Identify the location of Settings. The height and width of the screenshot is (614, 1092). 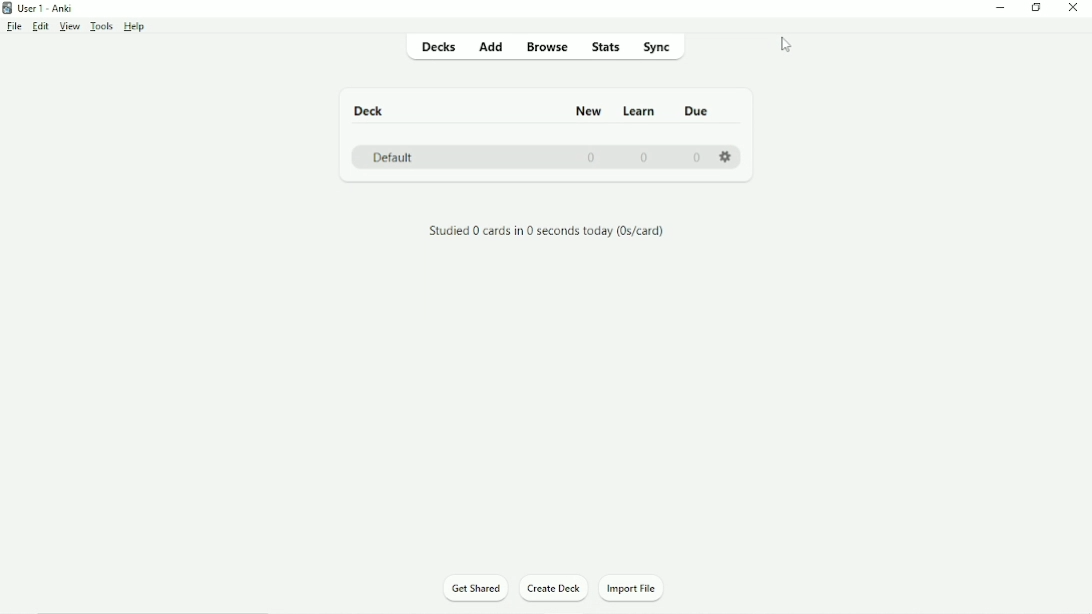
(726, 153).